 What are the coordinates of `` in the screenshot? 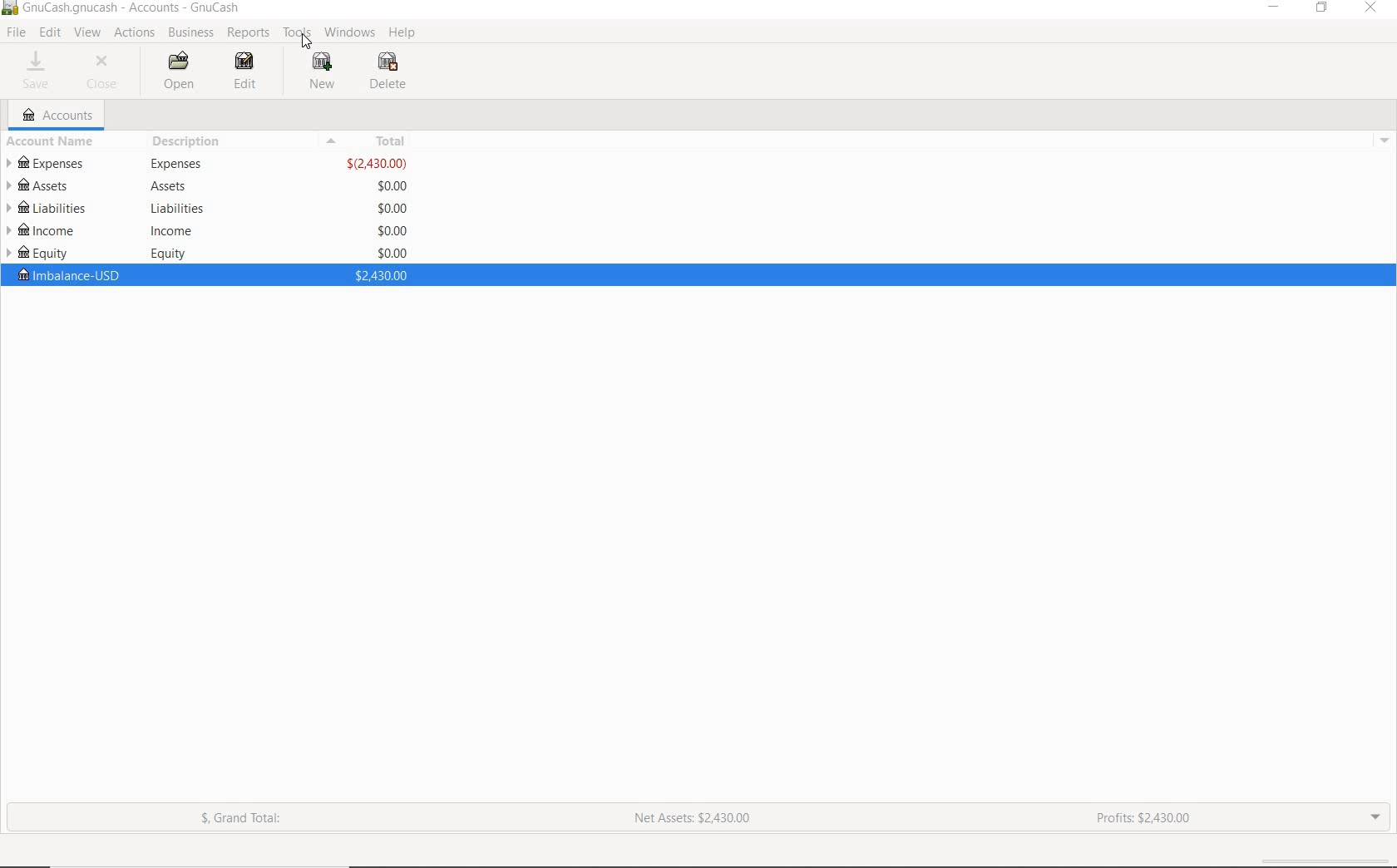 It's located at (174, 230).